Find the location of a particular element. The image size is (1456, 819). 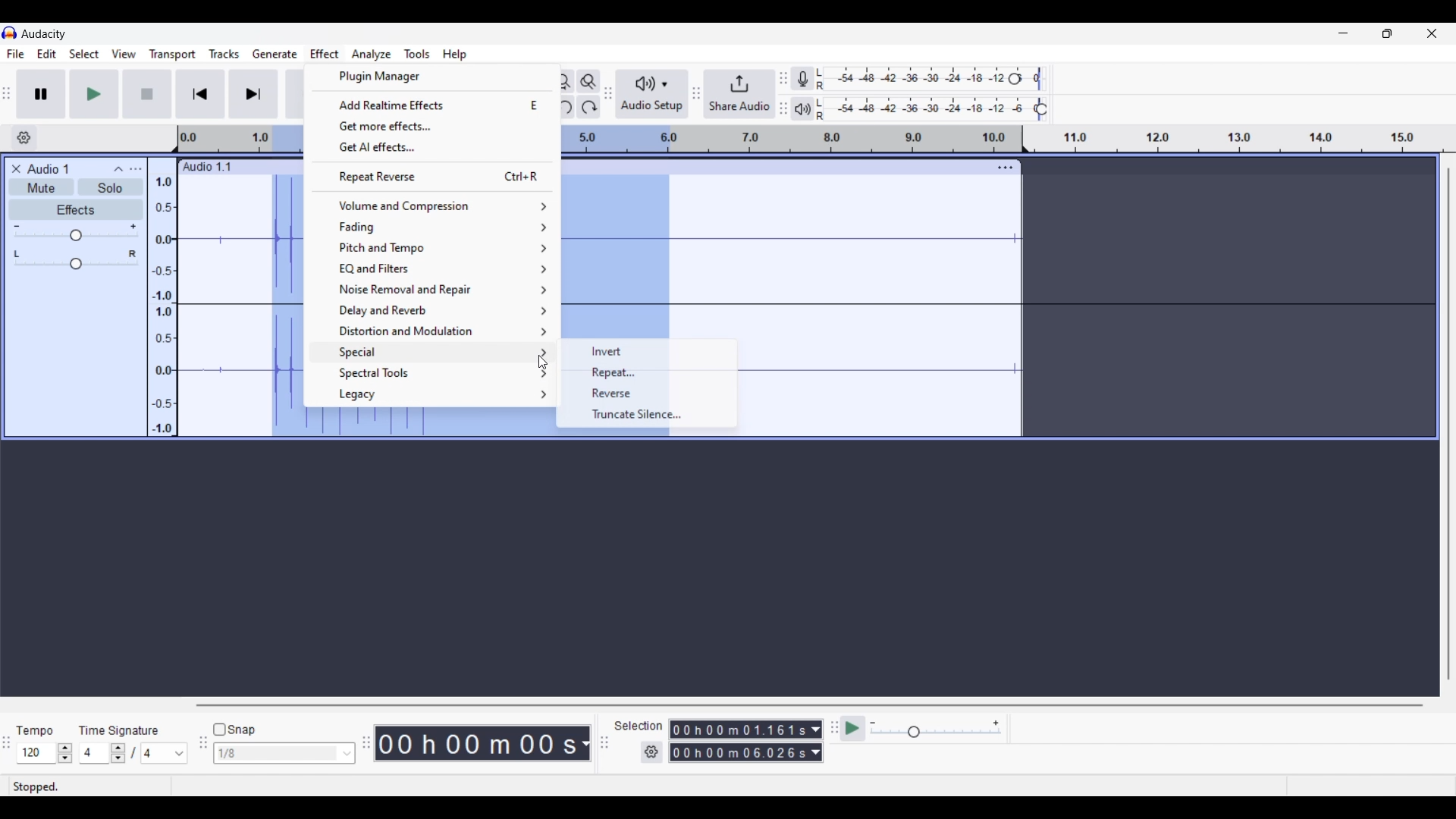

time signature is located at coordinates (118, 733).